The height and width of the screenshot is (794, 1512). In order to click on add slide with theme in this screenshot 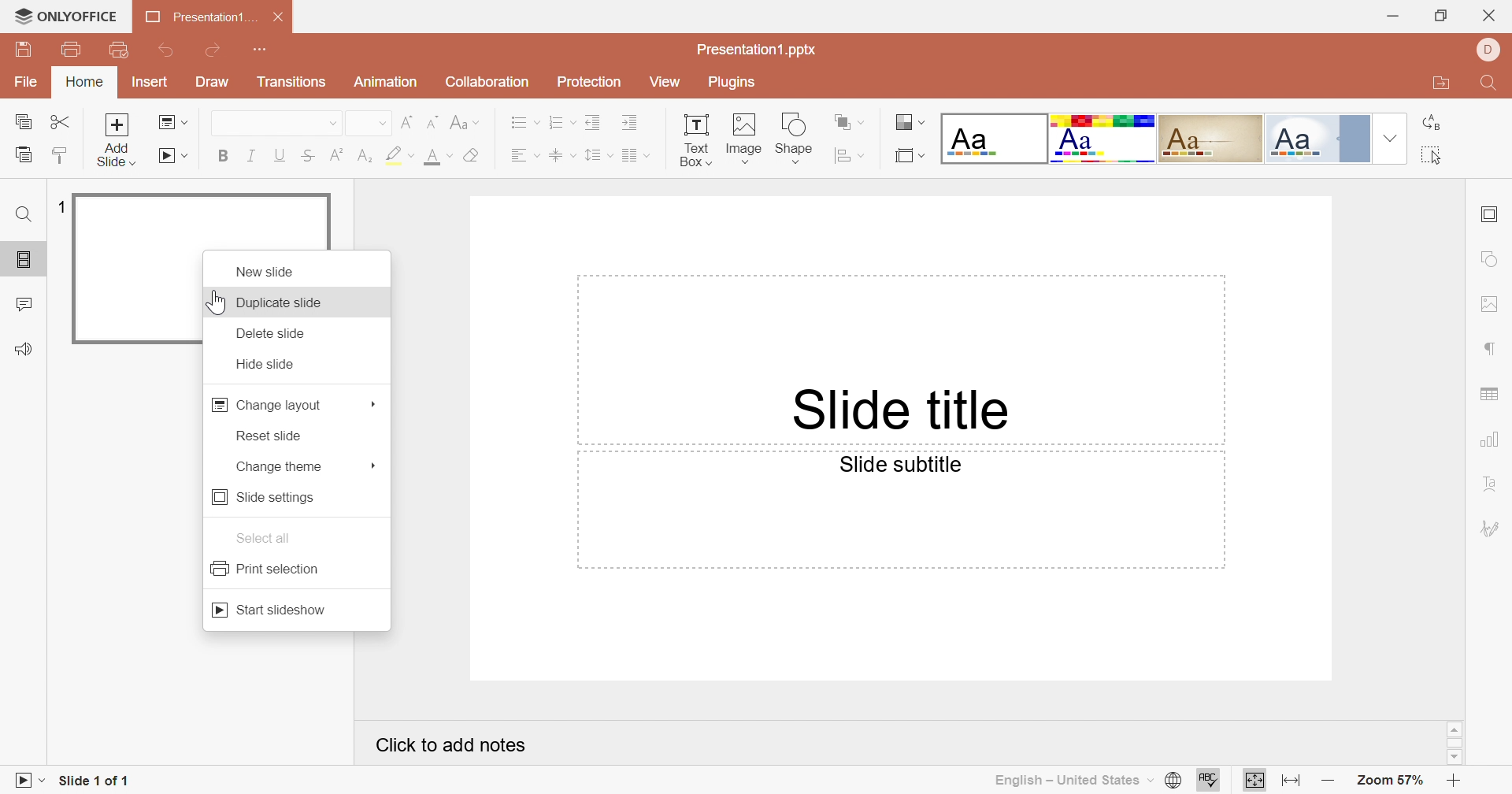, I will do `click(116, 157)`.